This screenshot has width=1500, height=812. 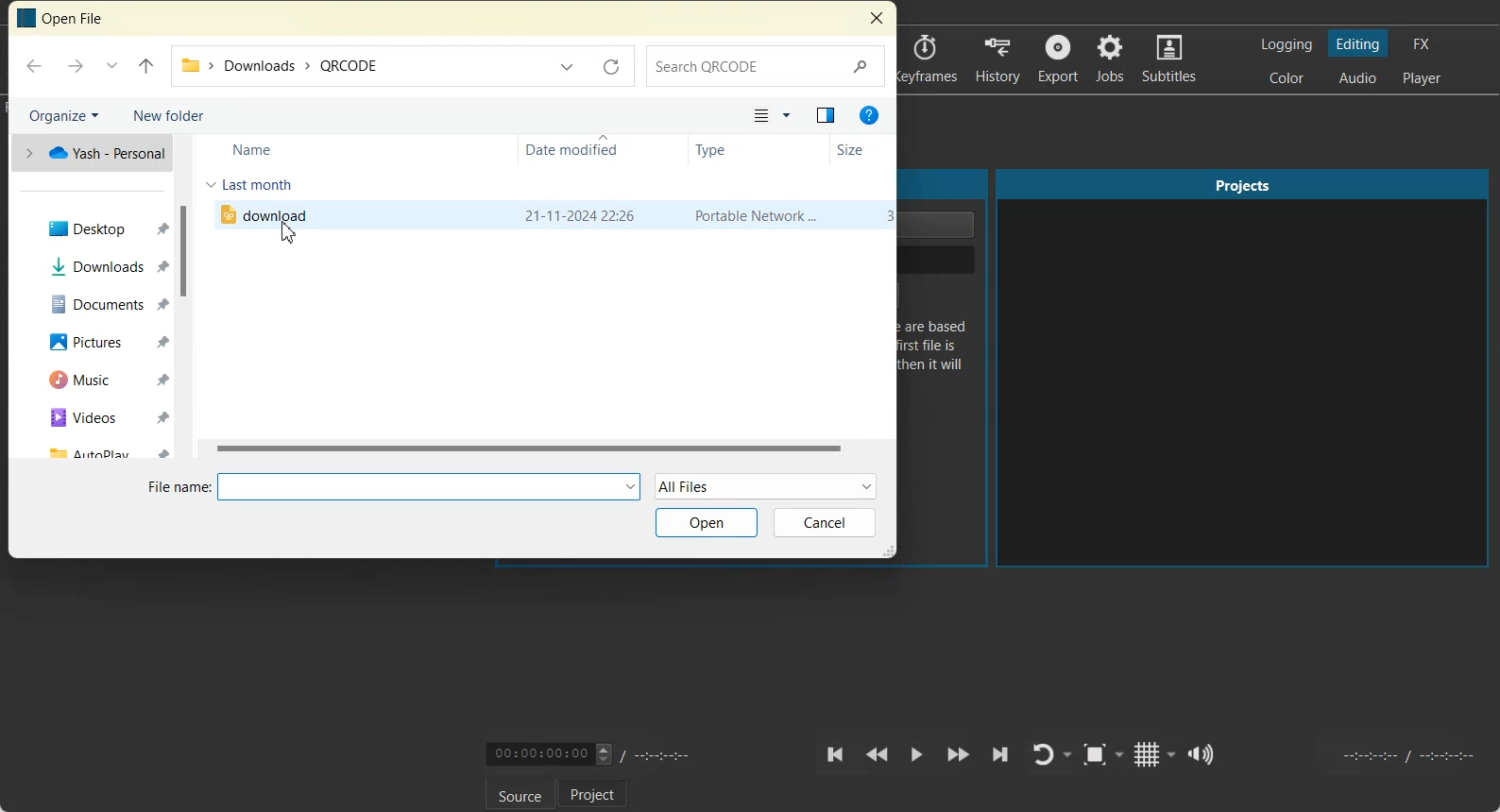 What do you see at coordinates (583, 150) in the screenshot?
I see `Date modified` at bounding box center [583, 150].